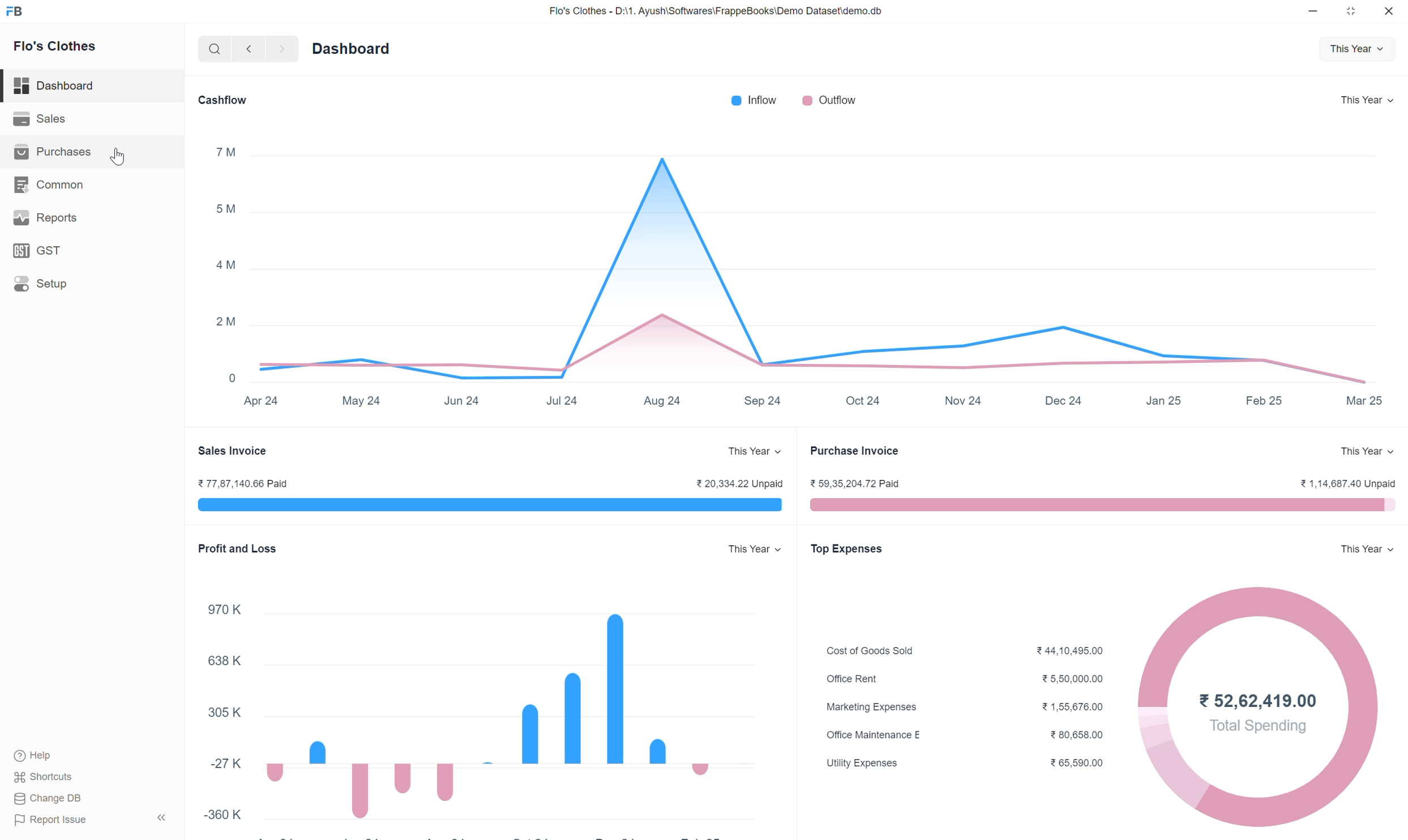  I want to click on Collapse, so click(161, 817).